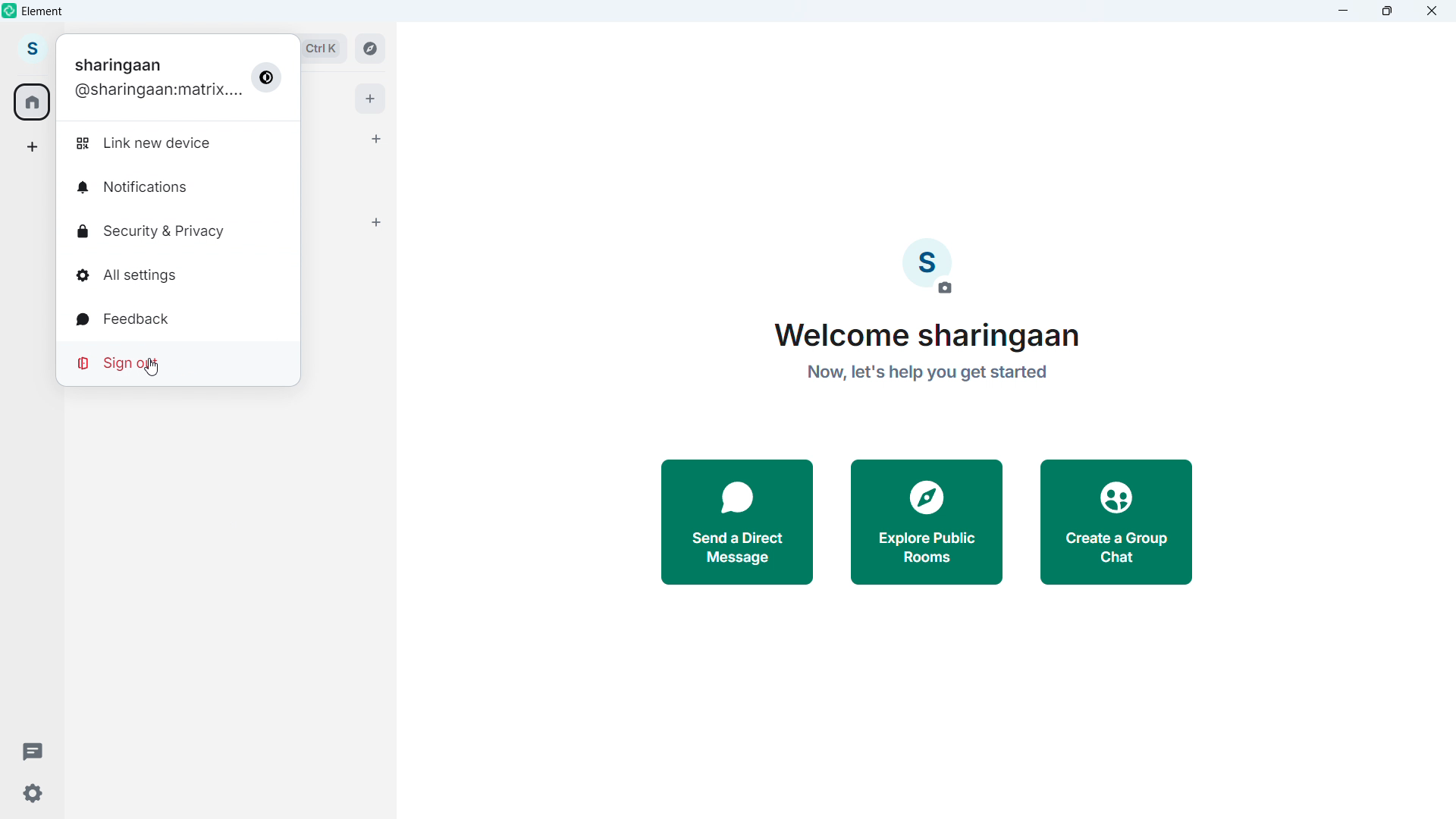  What do you see at coordinates (33, 49) in the screenshot?
I see `account` at bounding box center [33, 49].